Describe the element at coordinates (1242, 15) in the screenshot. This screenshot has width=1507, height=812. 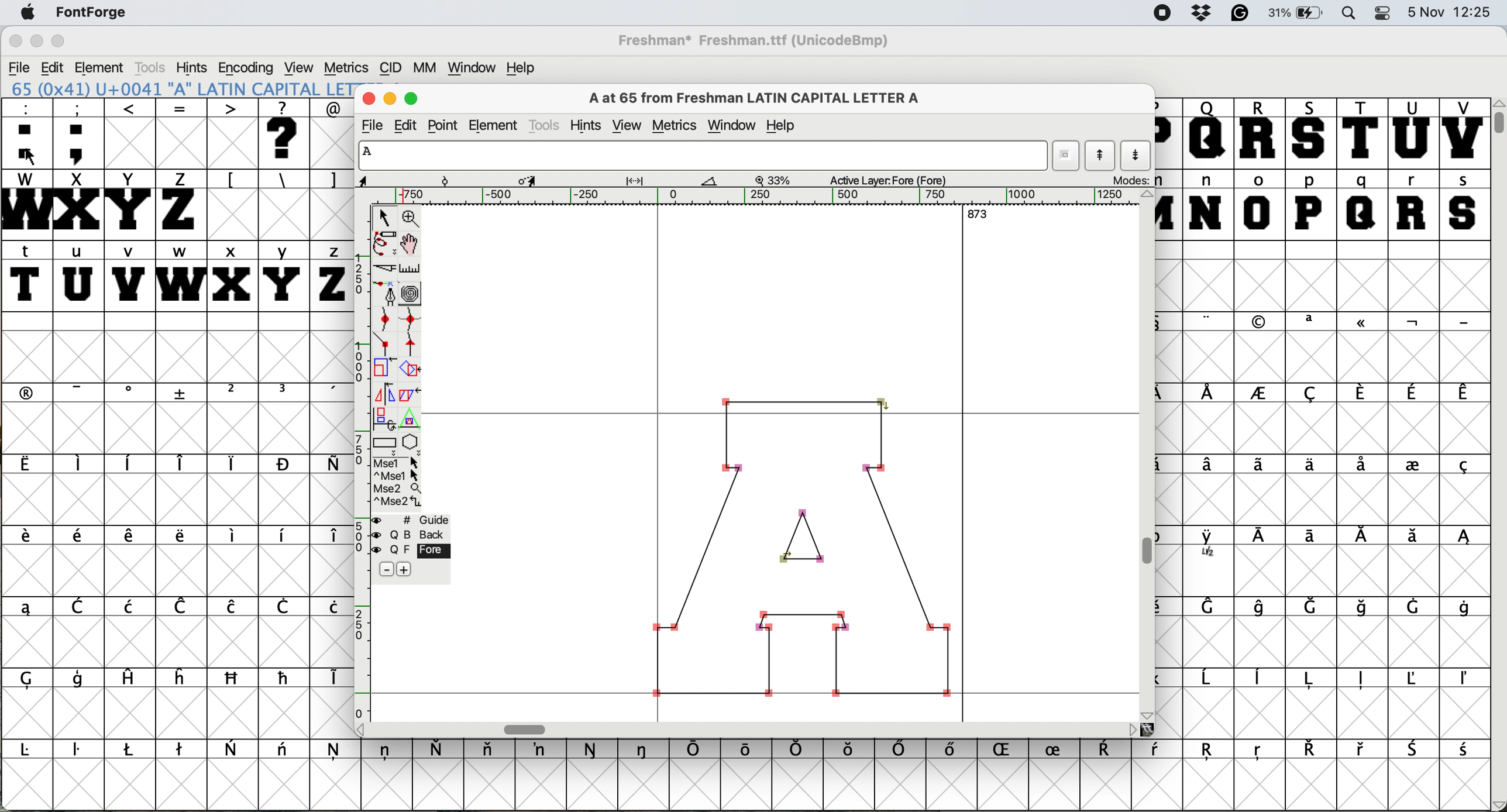
I see `grammarly` at that location.